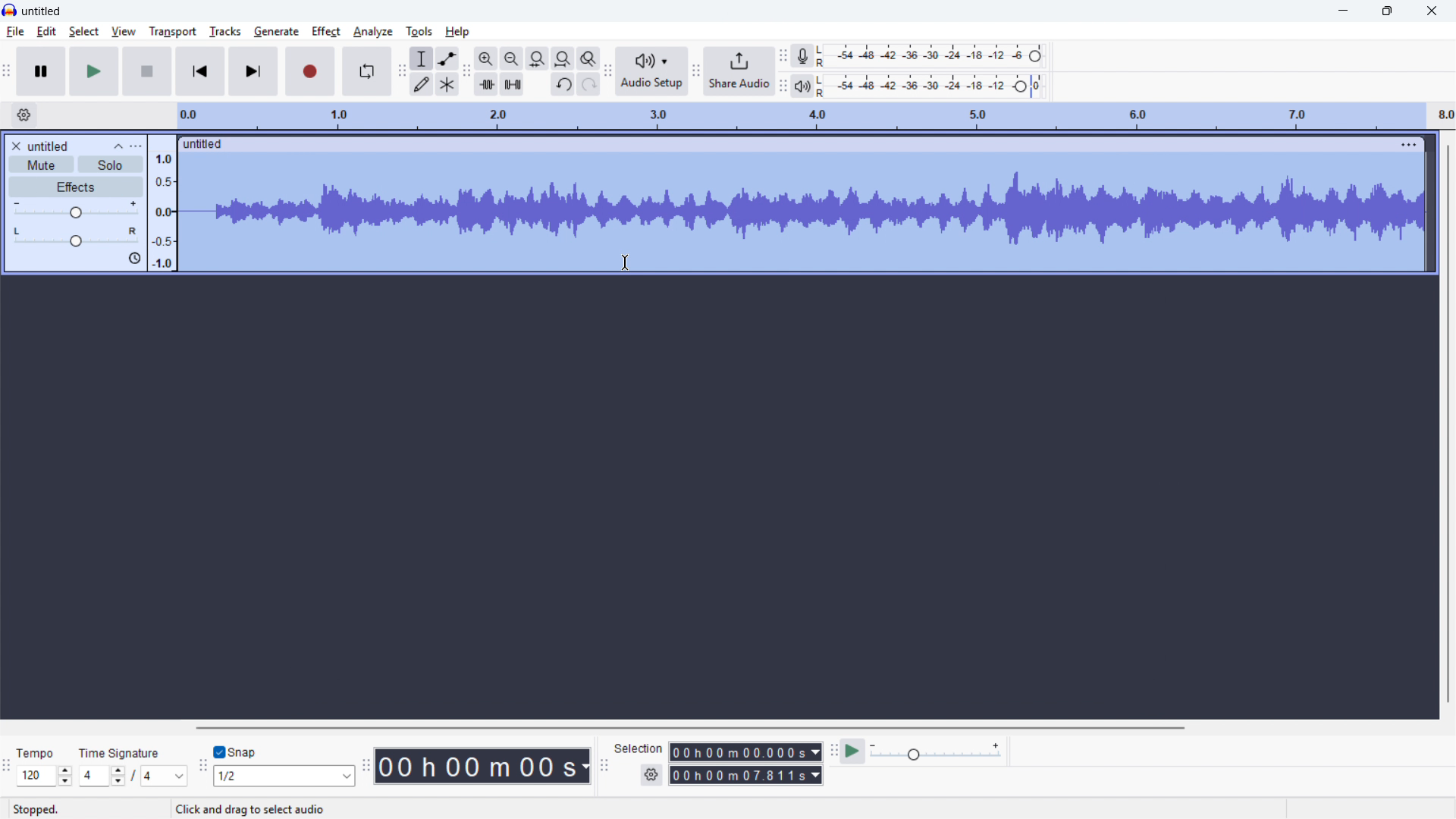 This screenshot has width=1456, height=819. What do you see at coordinates (513, 85) in the screenshot?
I see `Silence audio selection ` at bounding box center [513, 85].